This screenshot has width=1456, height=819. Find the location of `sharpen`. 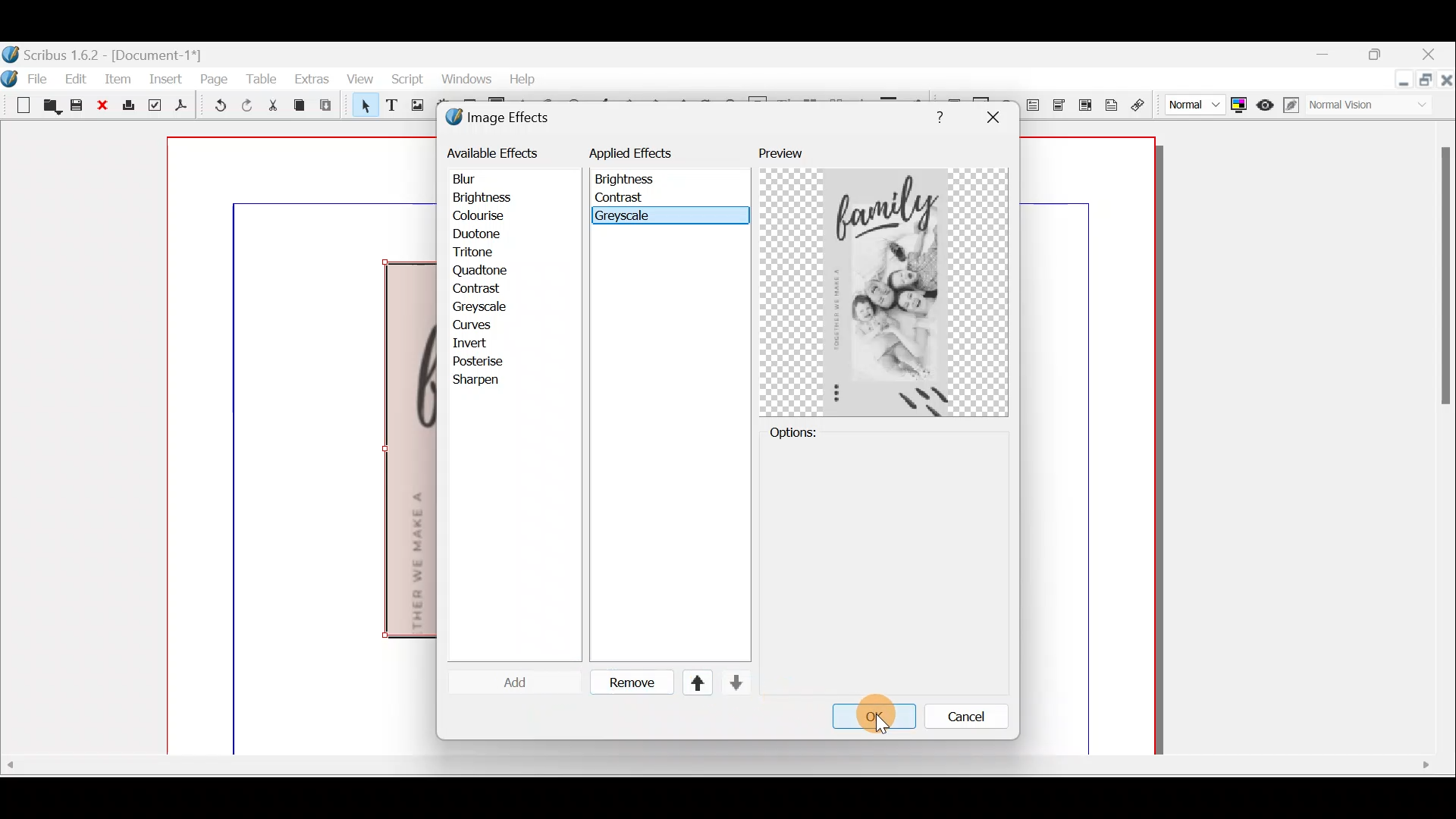

sharpen is located at coordinates (479, 381).